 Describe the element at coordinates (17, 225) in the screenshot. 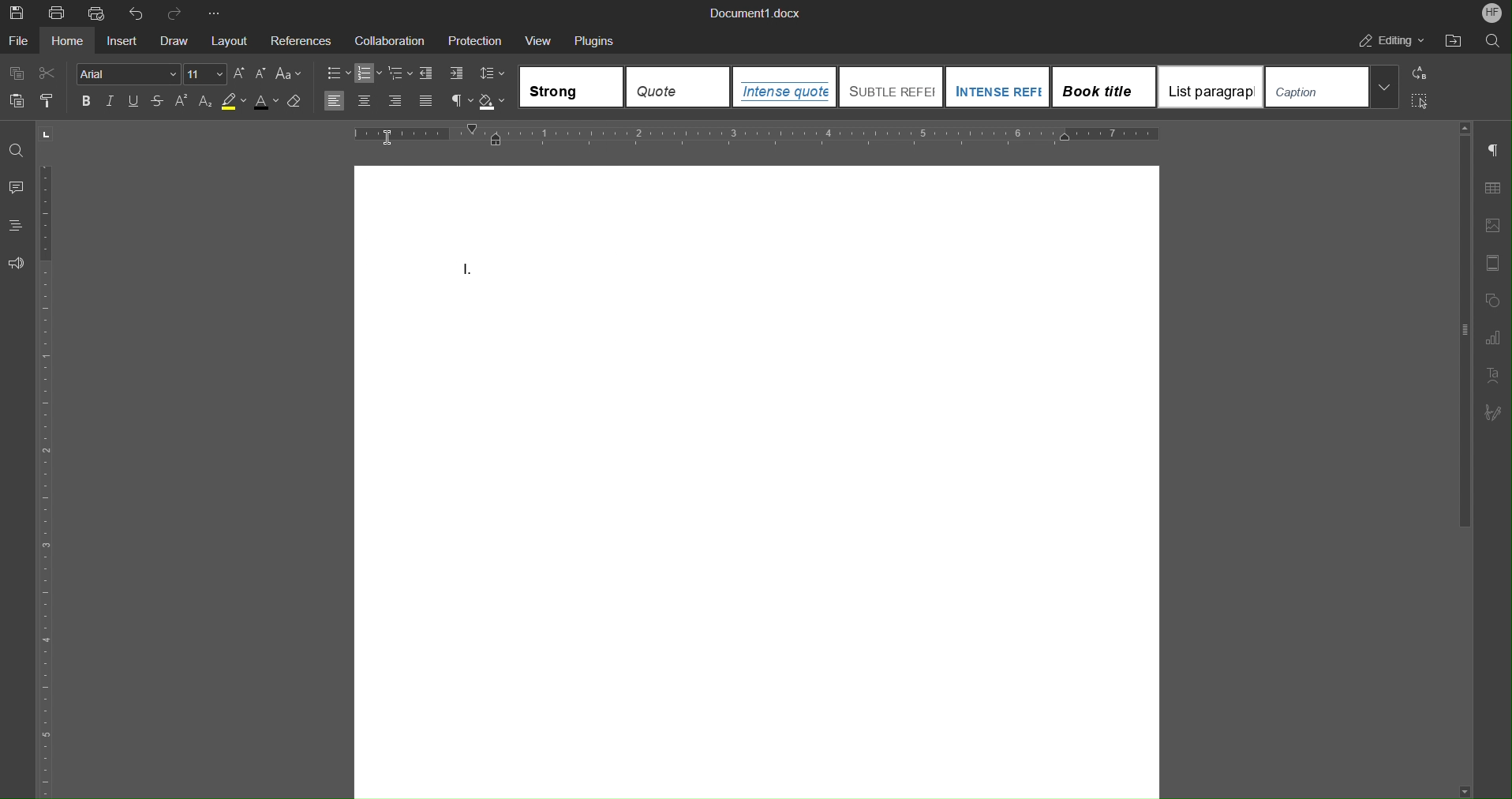

I see `Headings` at that location.